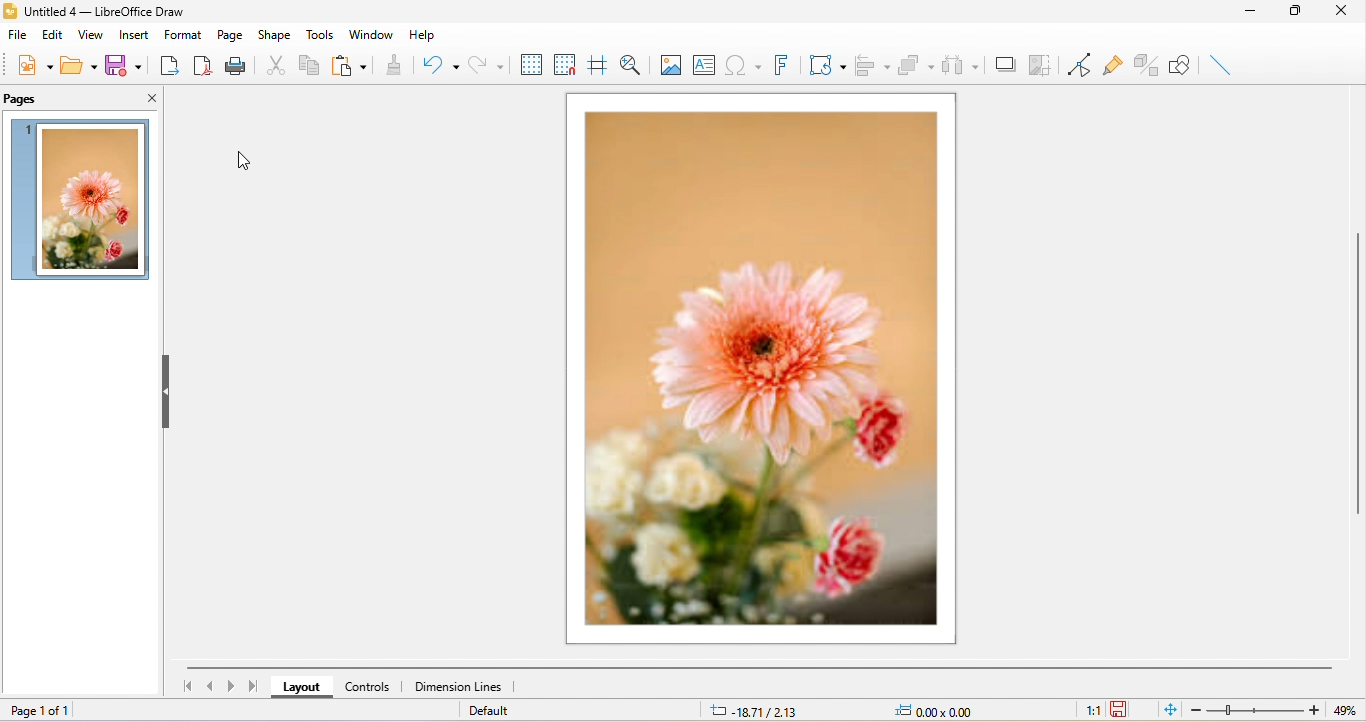 The image size is (1366, 722). What do you see at coordinates (439, 65) in the screenshot?
I see `undo` at bounding box center [439, 65].